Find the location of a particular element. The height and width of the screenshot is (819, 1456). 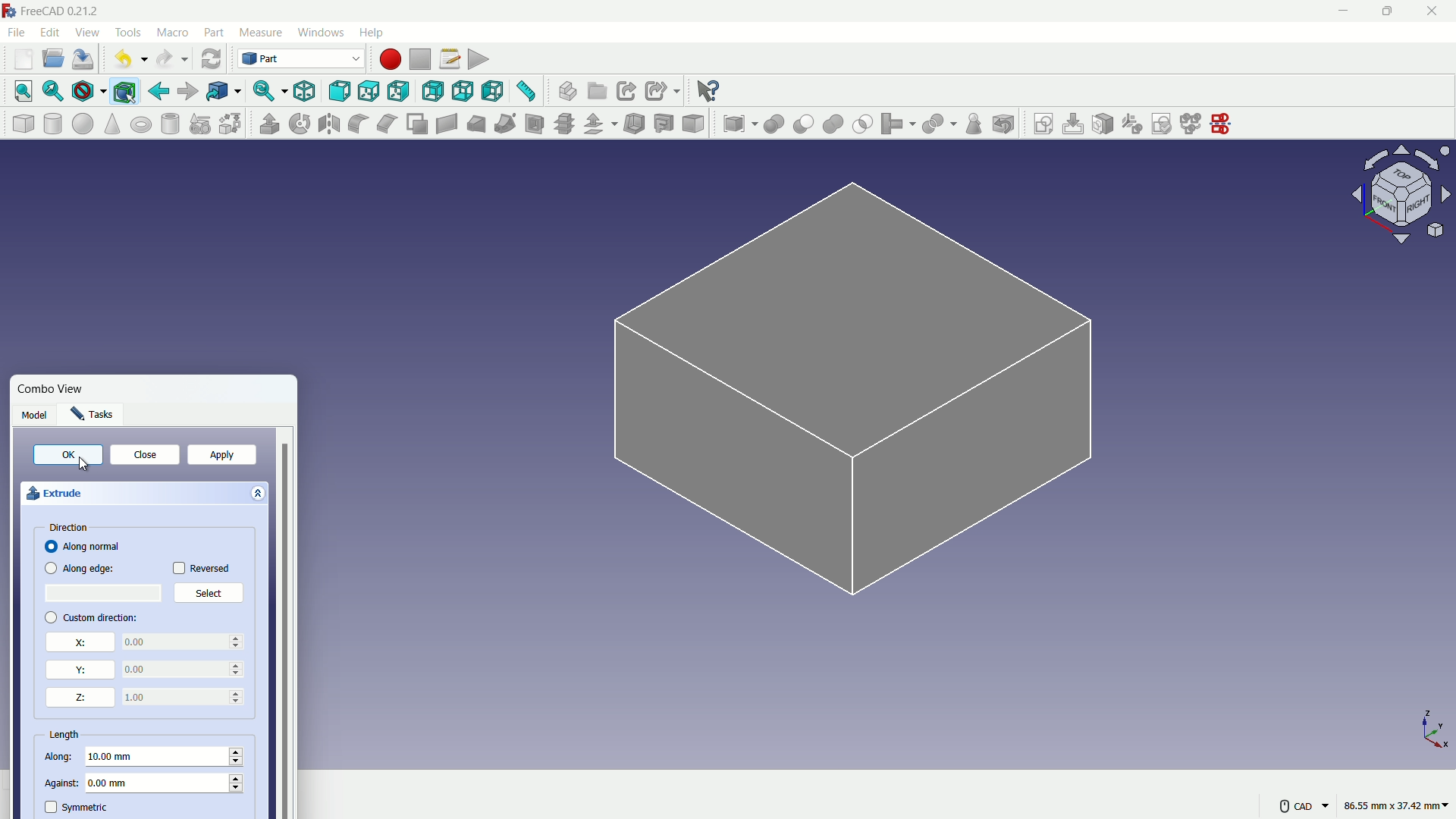

windows is located at coordinates (322, 32).